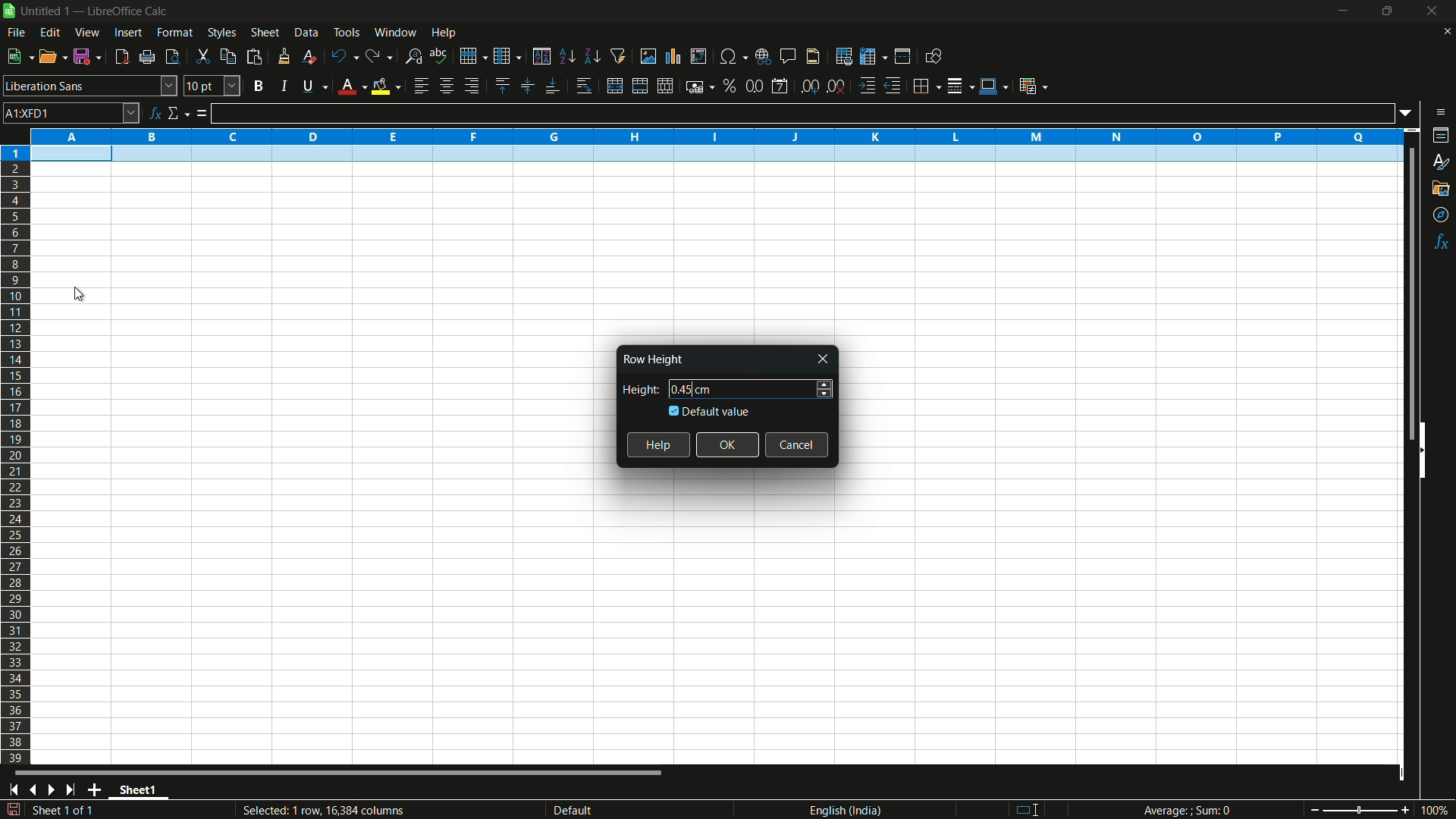 This screenshot has width=1456, height=819. I want to click on Average; Sum 0, so click(1188, 811).